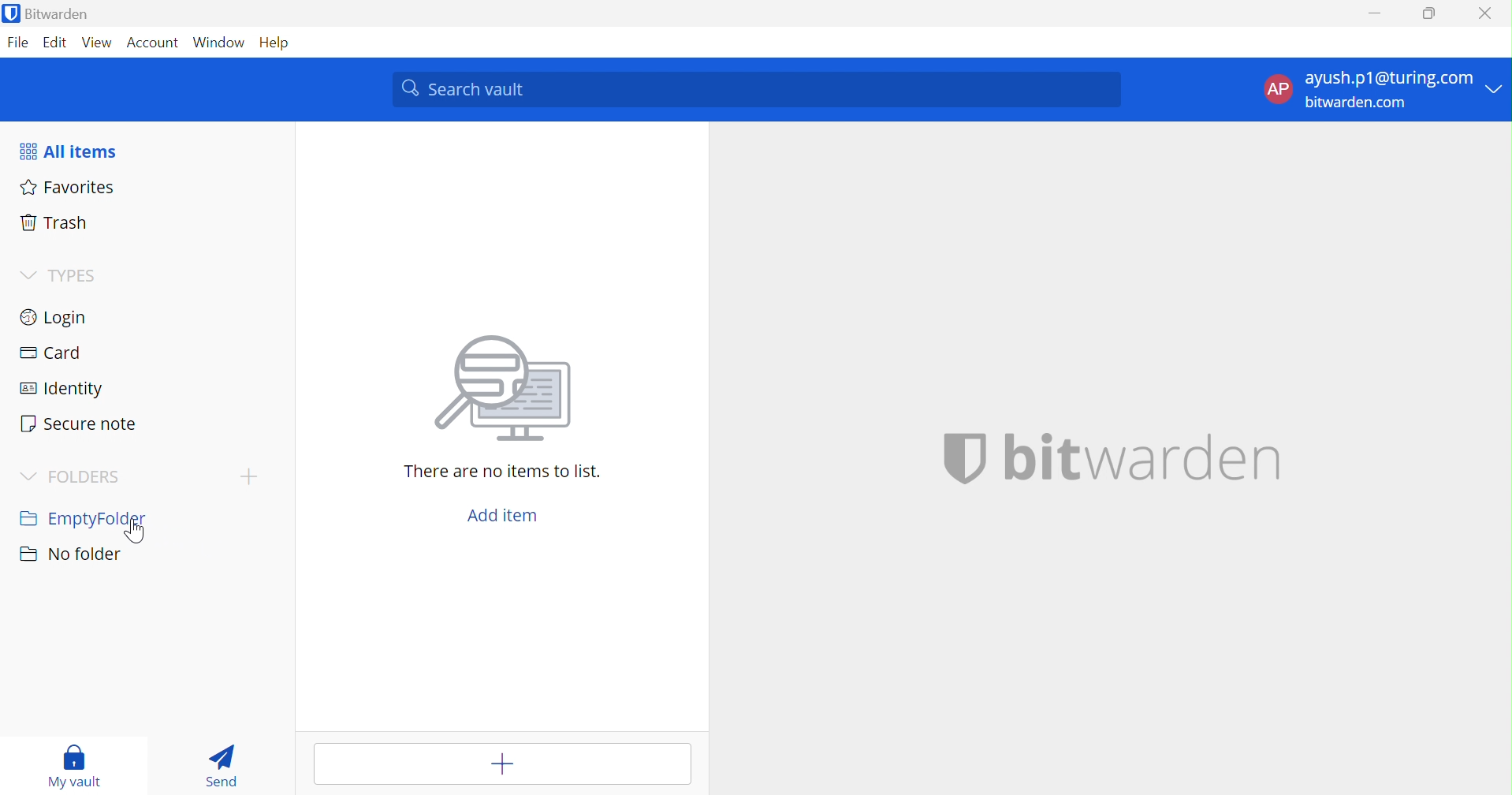  What do you see at coordinates (1485, 14) in the screenshot?
I see `Close` at bounding box center [1485, 14].